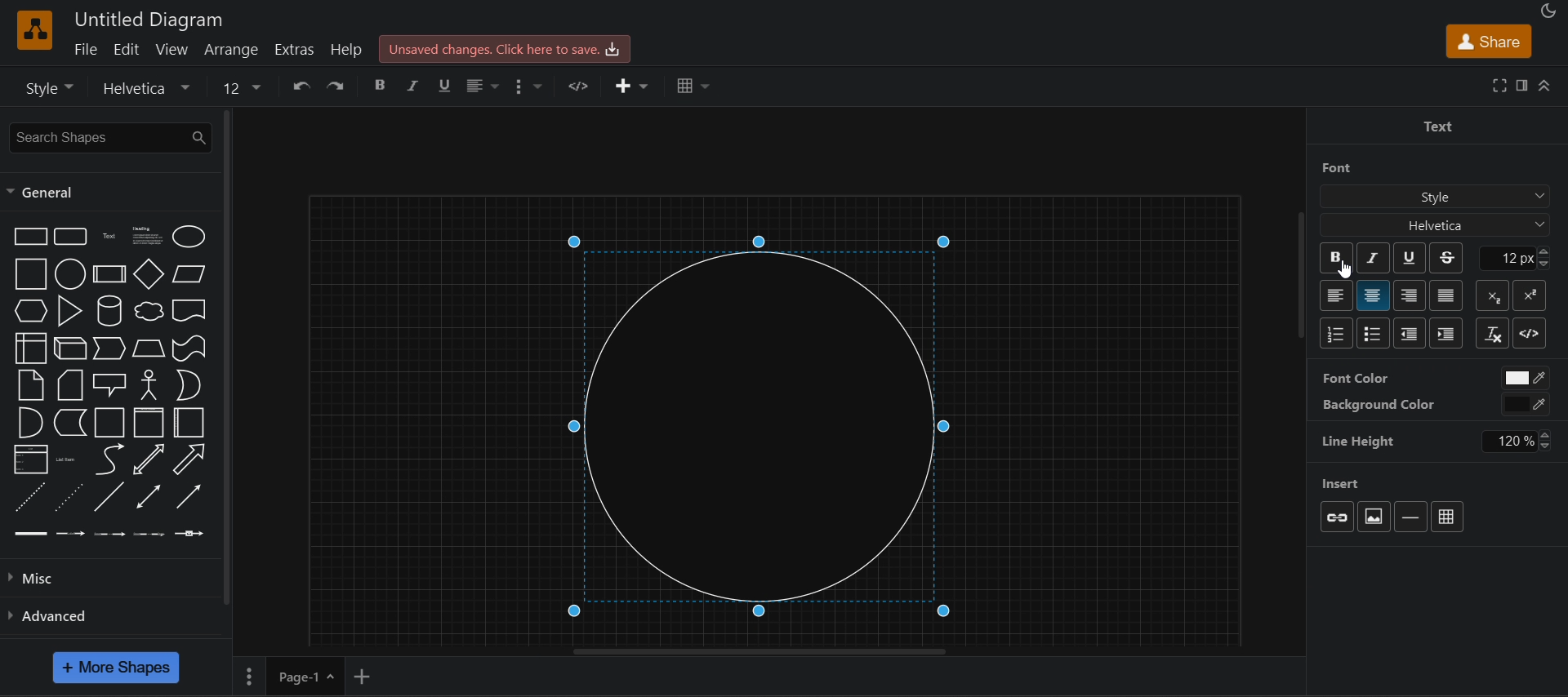 This screenshot has width=1568, height=697. What do you see at coordinates (1530, 295) in the screenshot?
I see `superscript` at bounding box center [1530, 295].